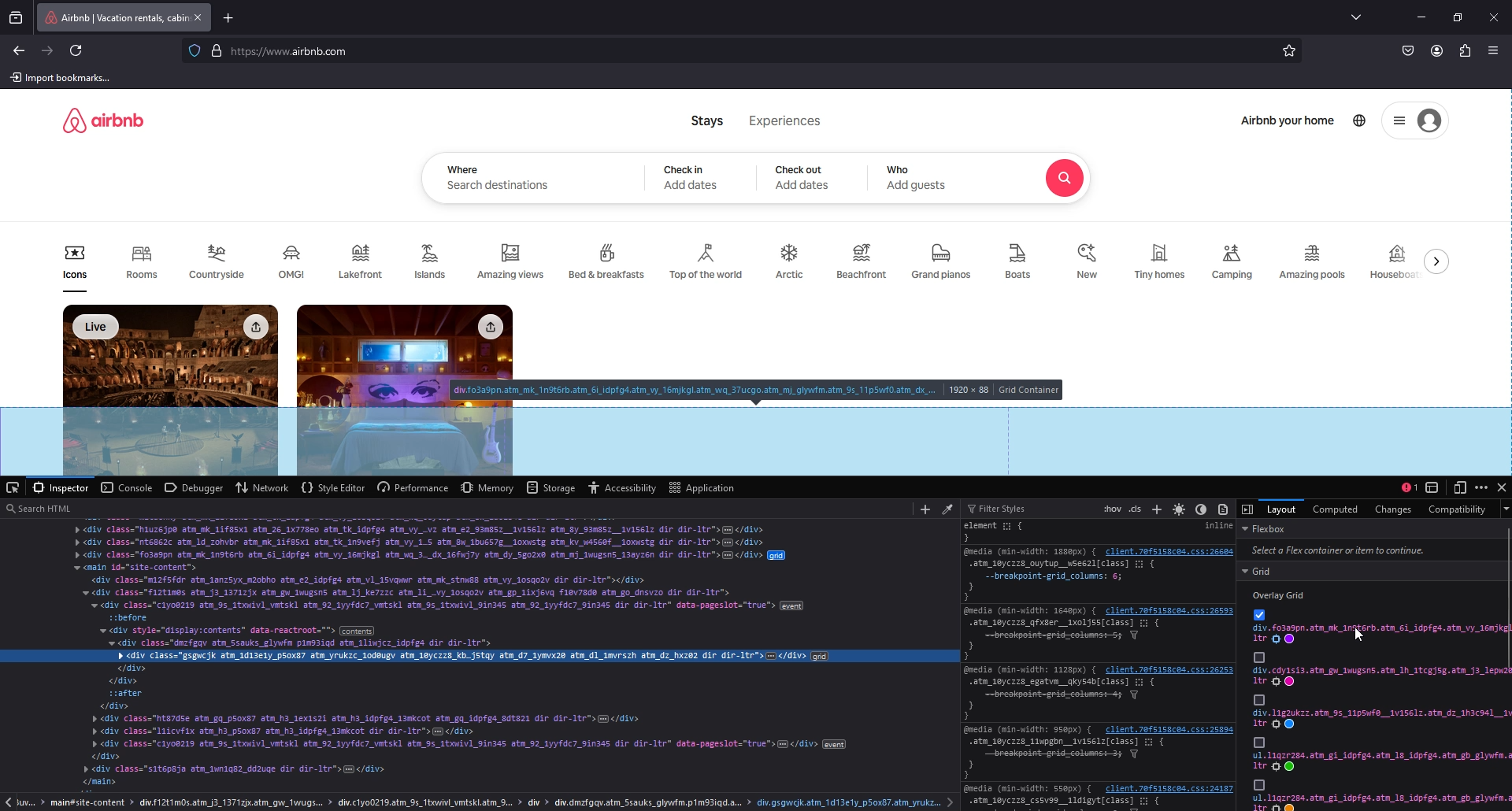 This screenshot has height=811, width=1512. I want to click on toggle classes, so click(1136, 509).